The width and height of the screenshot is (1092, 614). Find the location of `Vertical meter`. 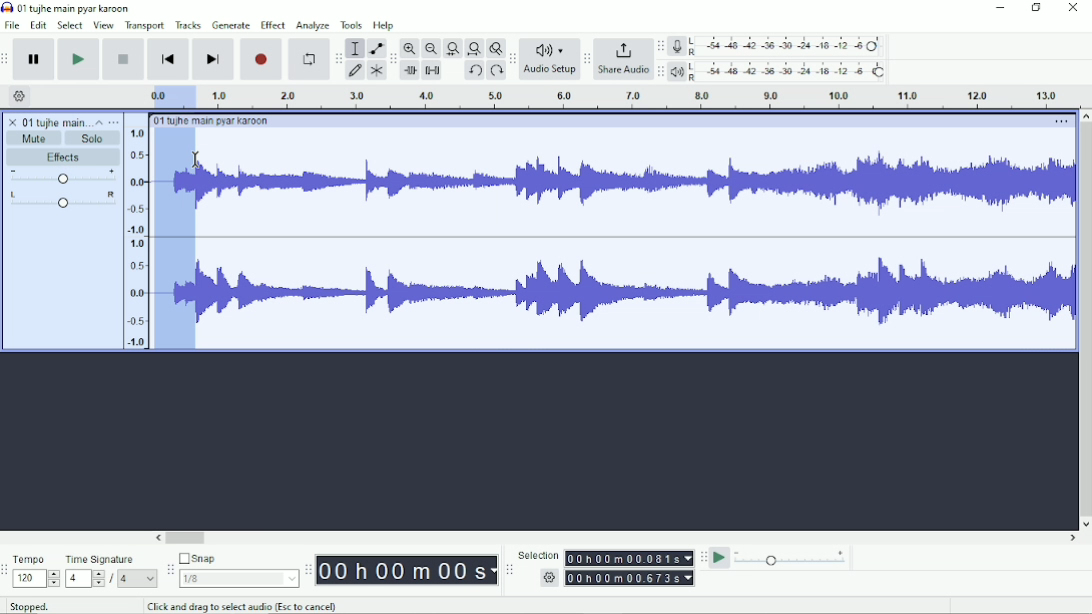

Vertical meter is located at coordinates (133, 237).